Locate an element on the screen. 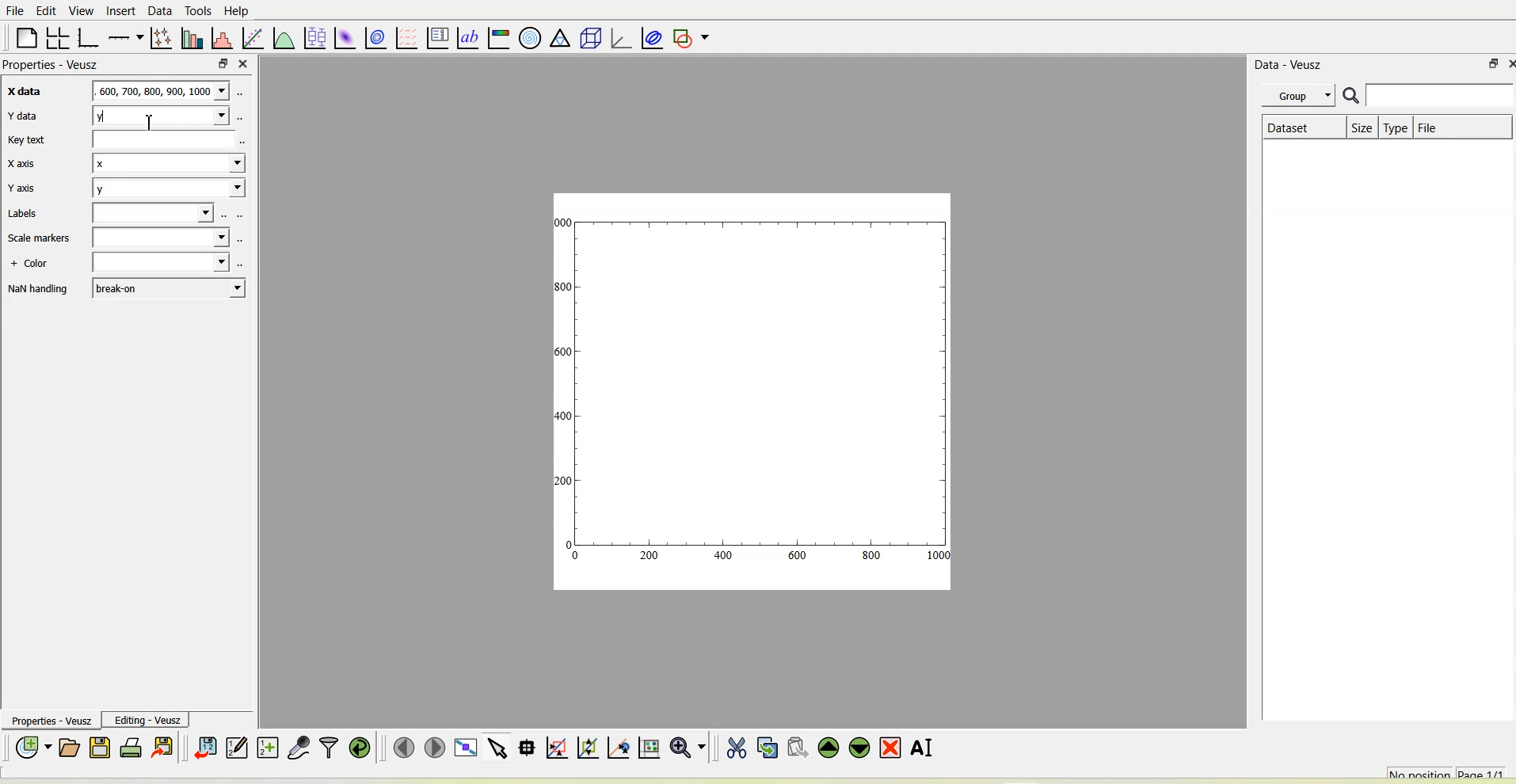 The width and height of the screenshot is (1516, 784). close is located at coordinates (244, 64).